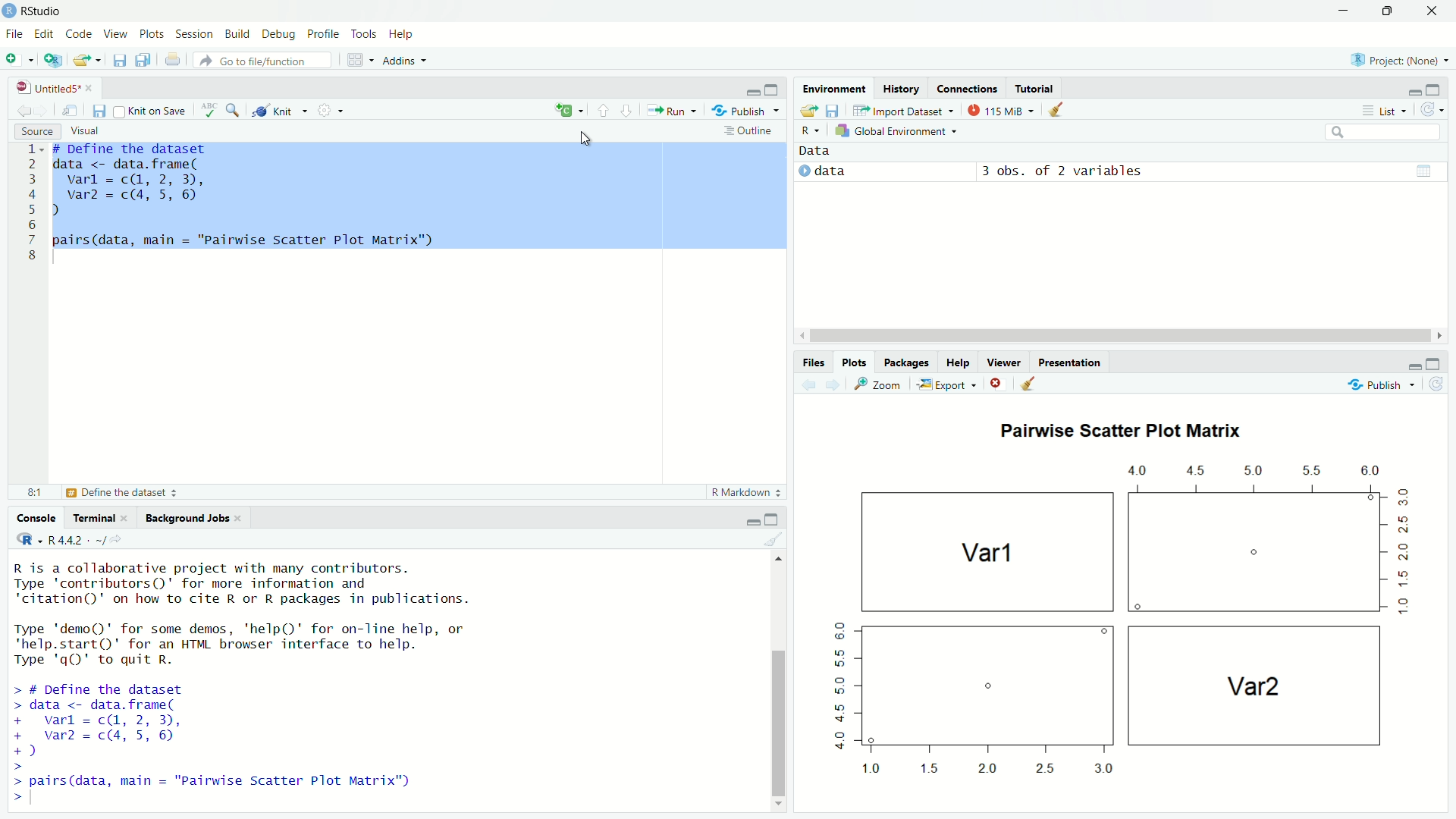 The width and height of the screenshot is (1456, 819). Describe the element at coordinates (262, 59) in the screenshot. I see `Go to file/function` at that location.